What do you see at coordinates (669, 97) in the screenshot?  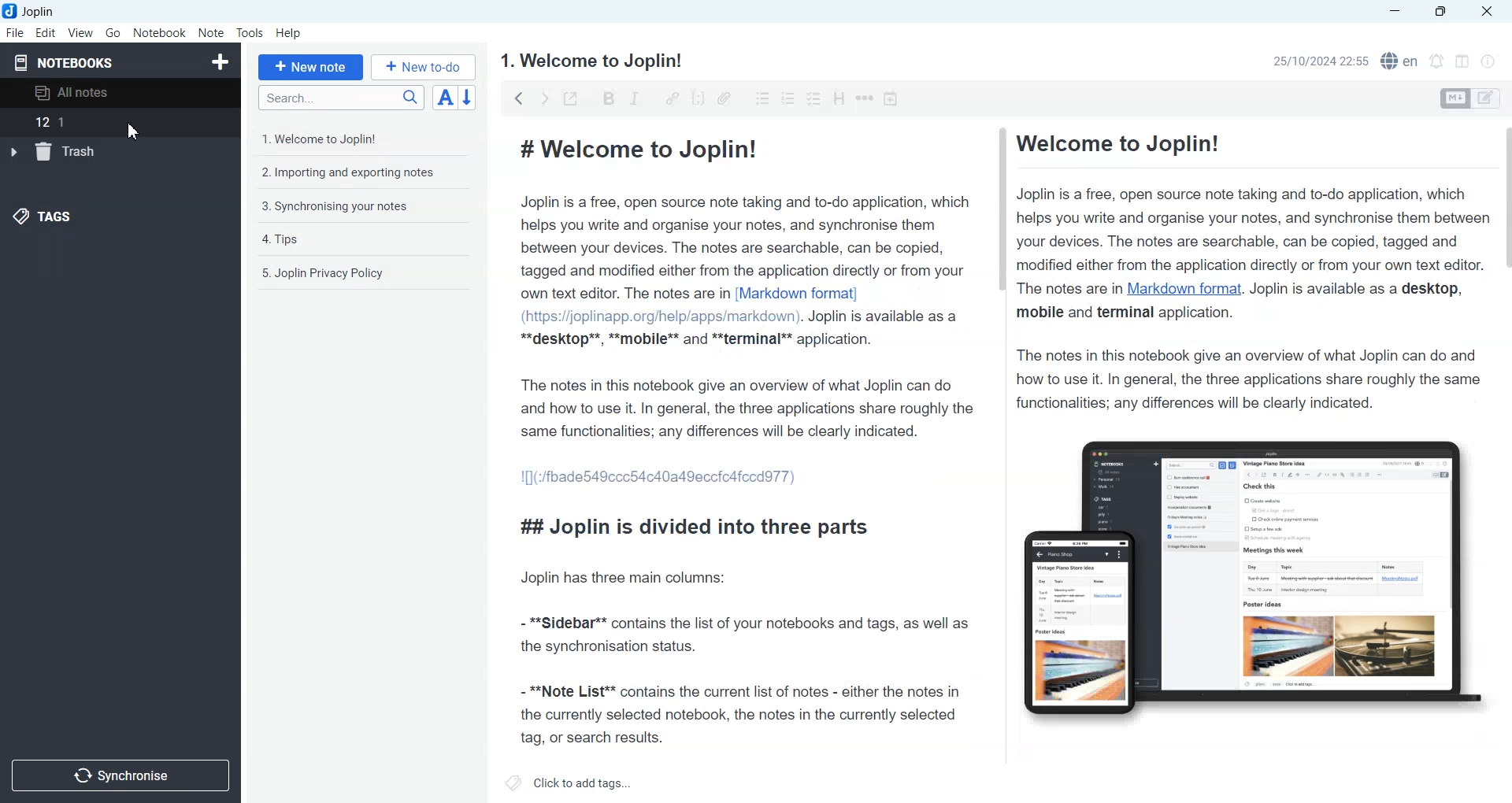 I see `Hyperlink` at bounding box center [669, 97].